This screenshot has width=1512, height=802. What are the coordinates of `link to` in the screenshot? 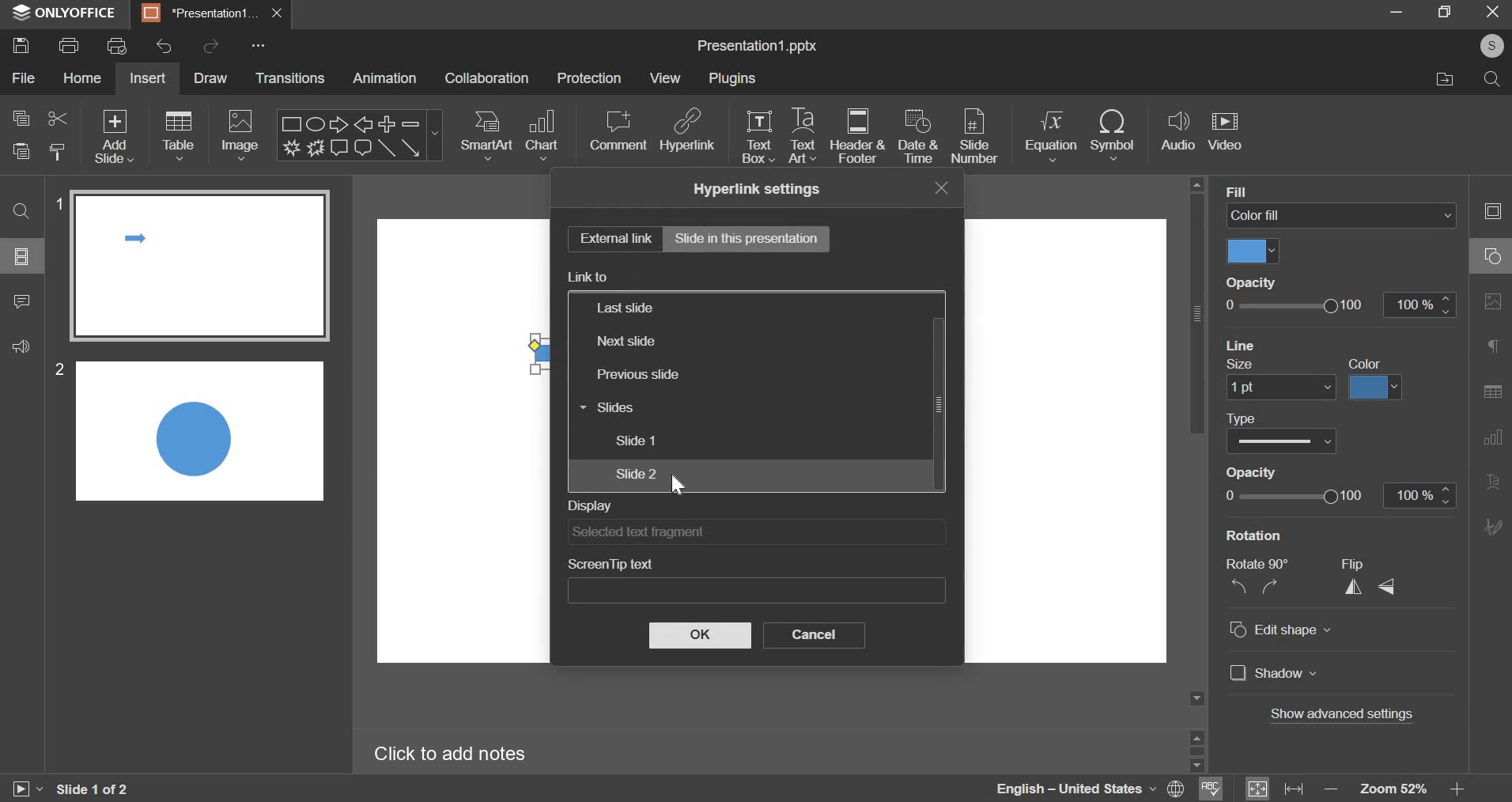 It's located at (588, 277).